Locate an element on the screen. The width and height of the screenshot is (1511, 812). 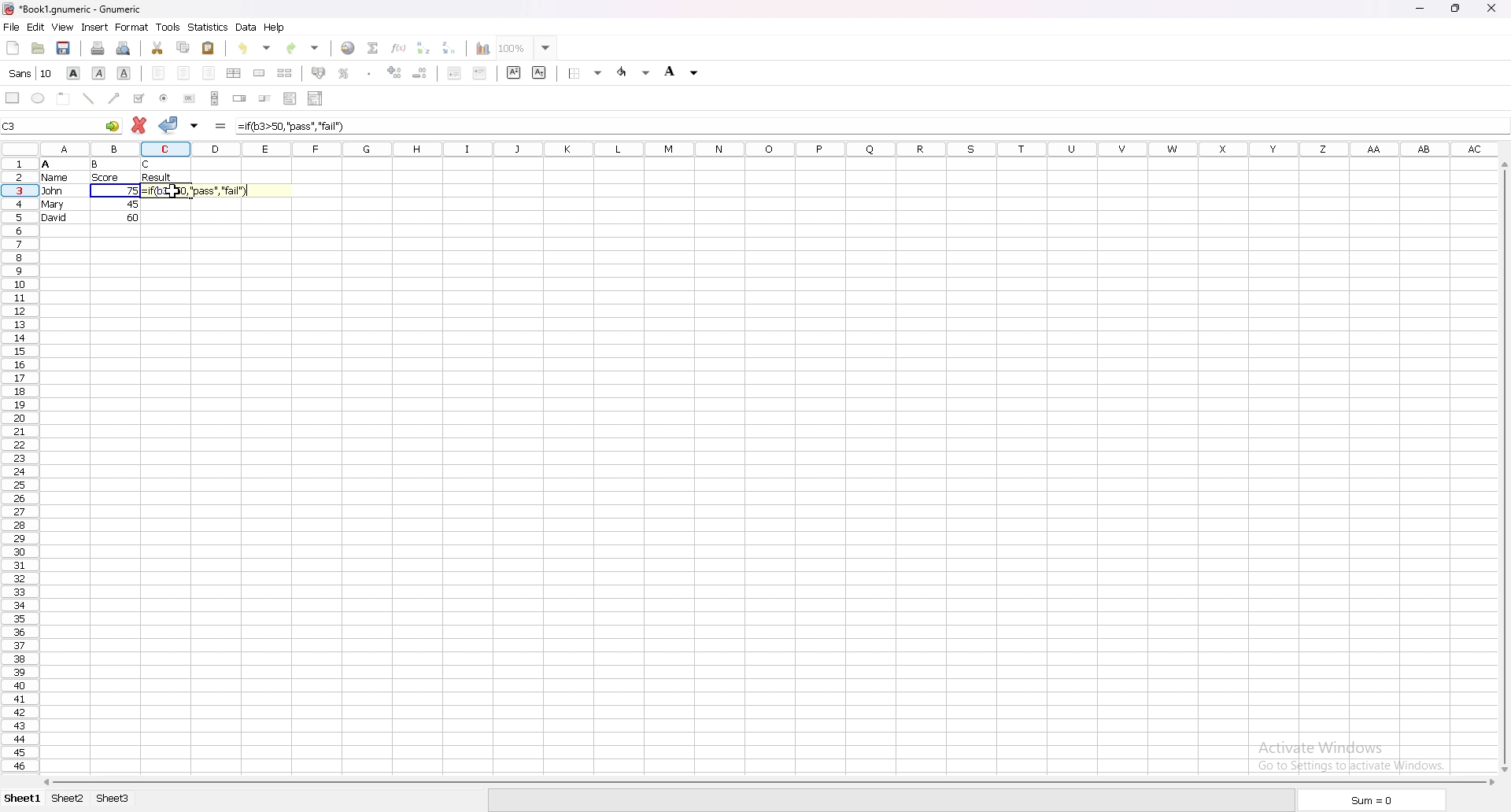
subscript is located at coordinates (540, 72).